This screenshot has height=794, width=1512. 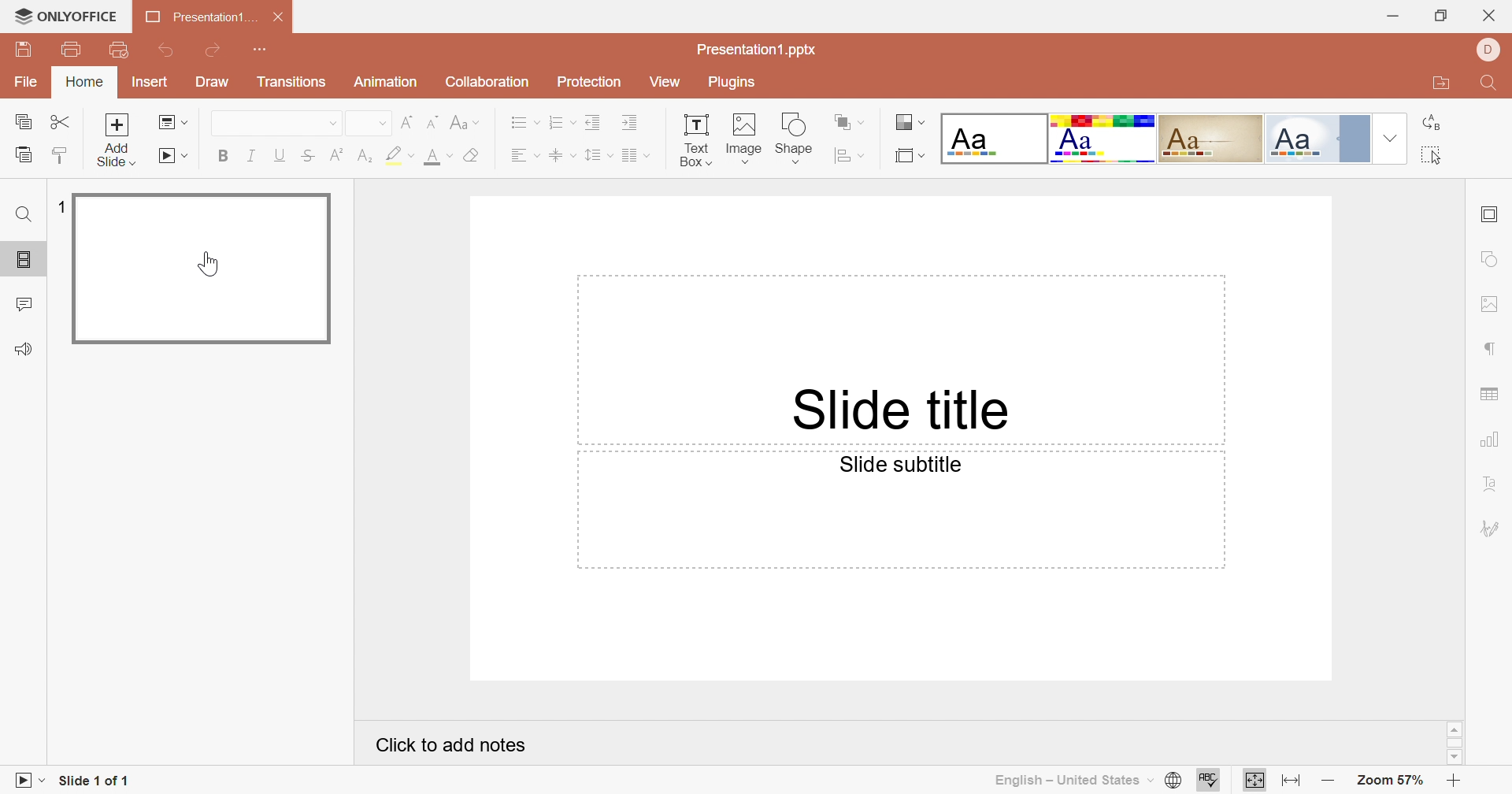 I want to click on Animation, so click(x=388, y=82).